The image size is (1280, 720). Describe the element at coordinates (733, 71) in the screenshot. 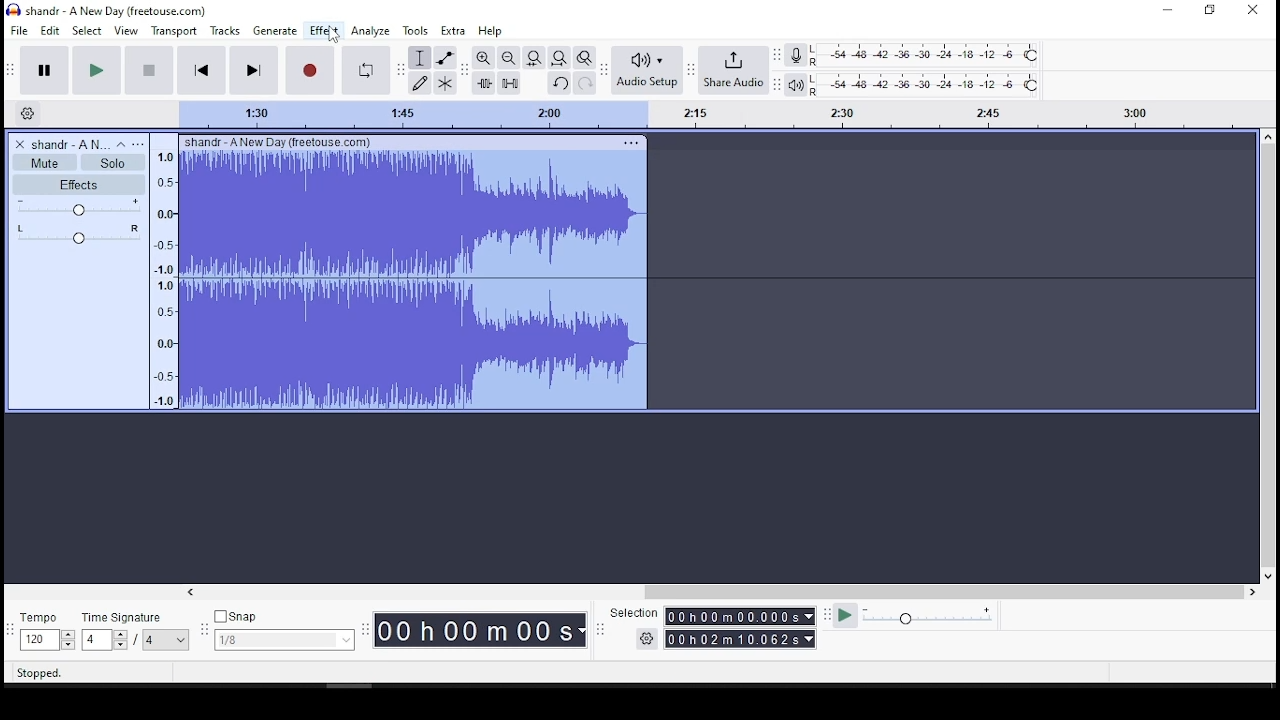

I see `share audio` at that location.